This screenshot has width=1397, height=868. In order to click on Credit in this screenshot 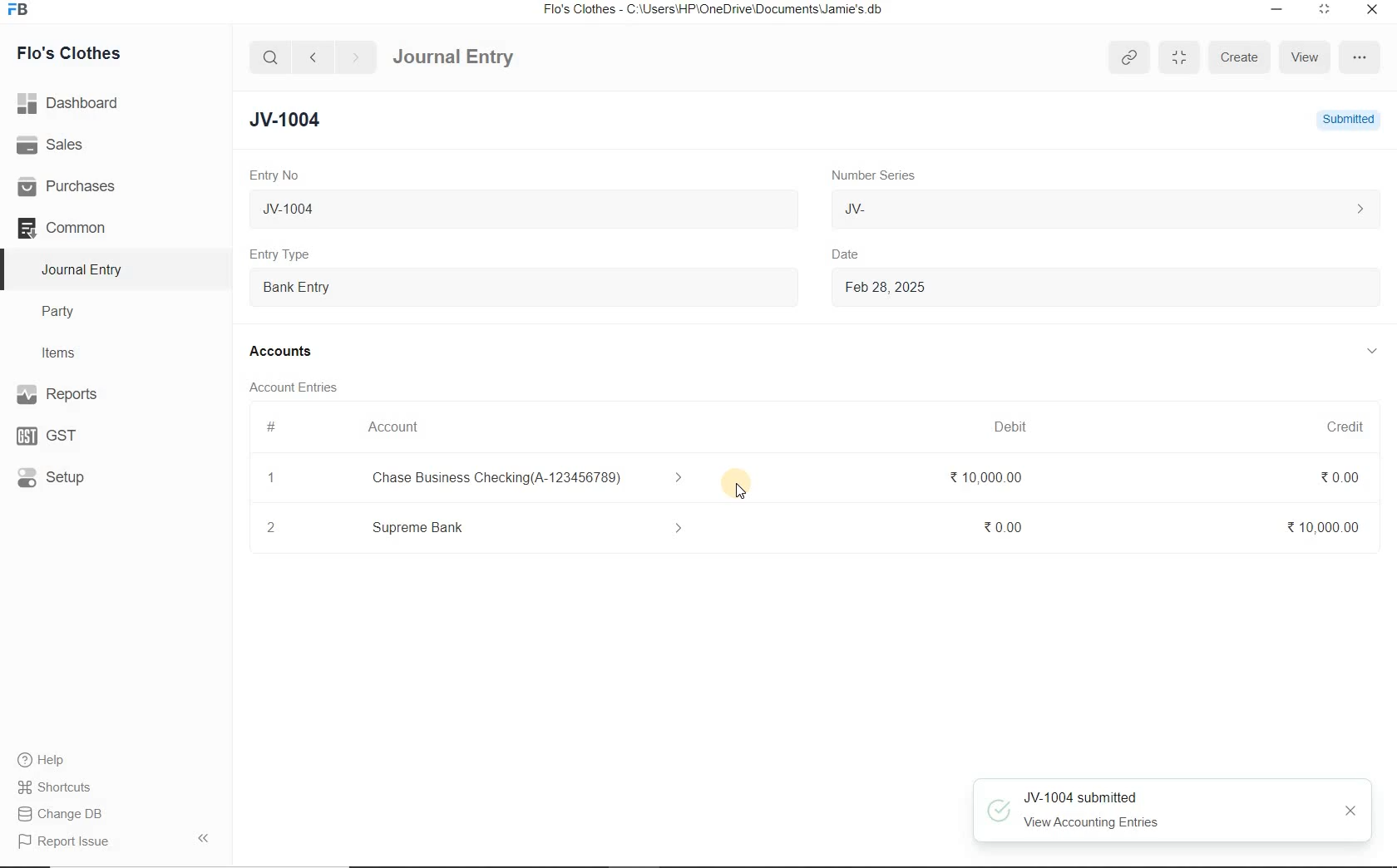, I will do `click(1325, 424)`.